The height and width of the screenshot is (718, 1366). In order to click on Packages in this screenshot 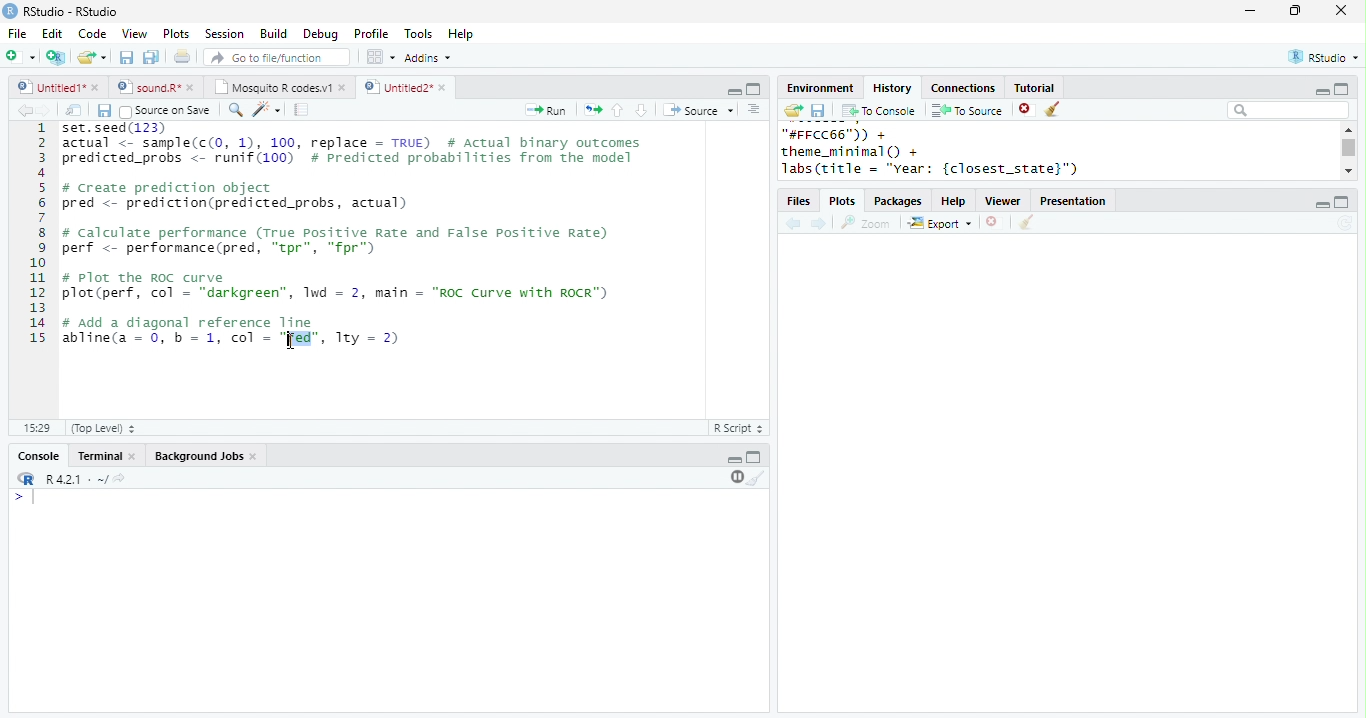, I will do `click(898, 202)`.